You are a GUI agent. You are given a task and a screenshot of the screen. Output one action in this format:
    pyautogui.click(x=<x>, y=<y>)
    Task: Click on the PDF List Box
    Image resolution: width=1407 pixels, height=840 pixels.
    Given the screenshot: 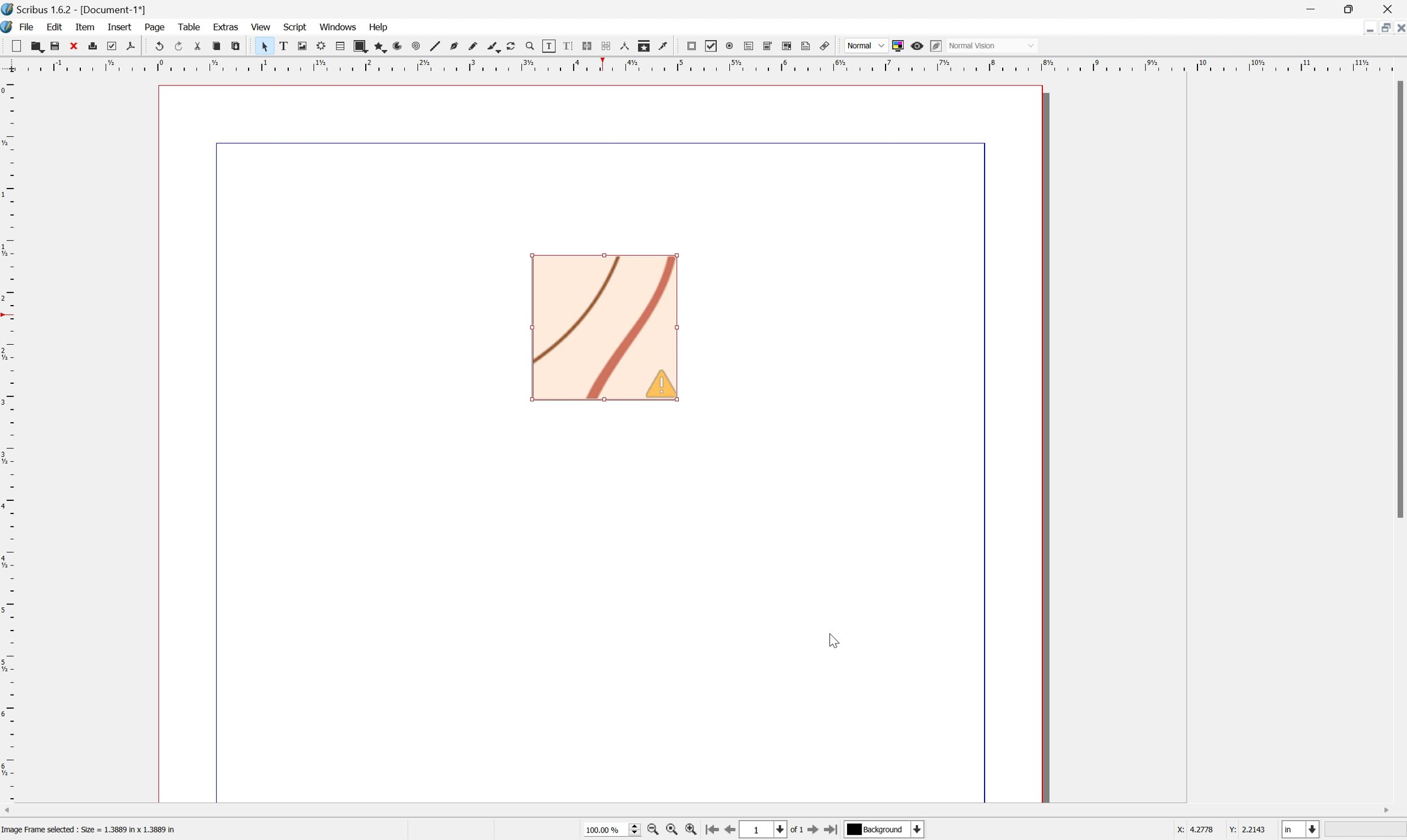 What is the action you would take?
    pyautogui.click(x=789, y=46)
    